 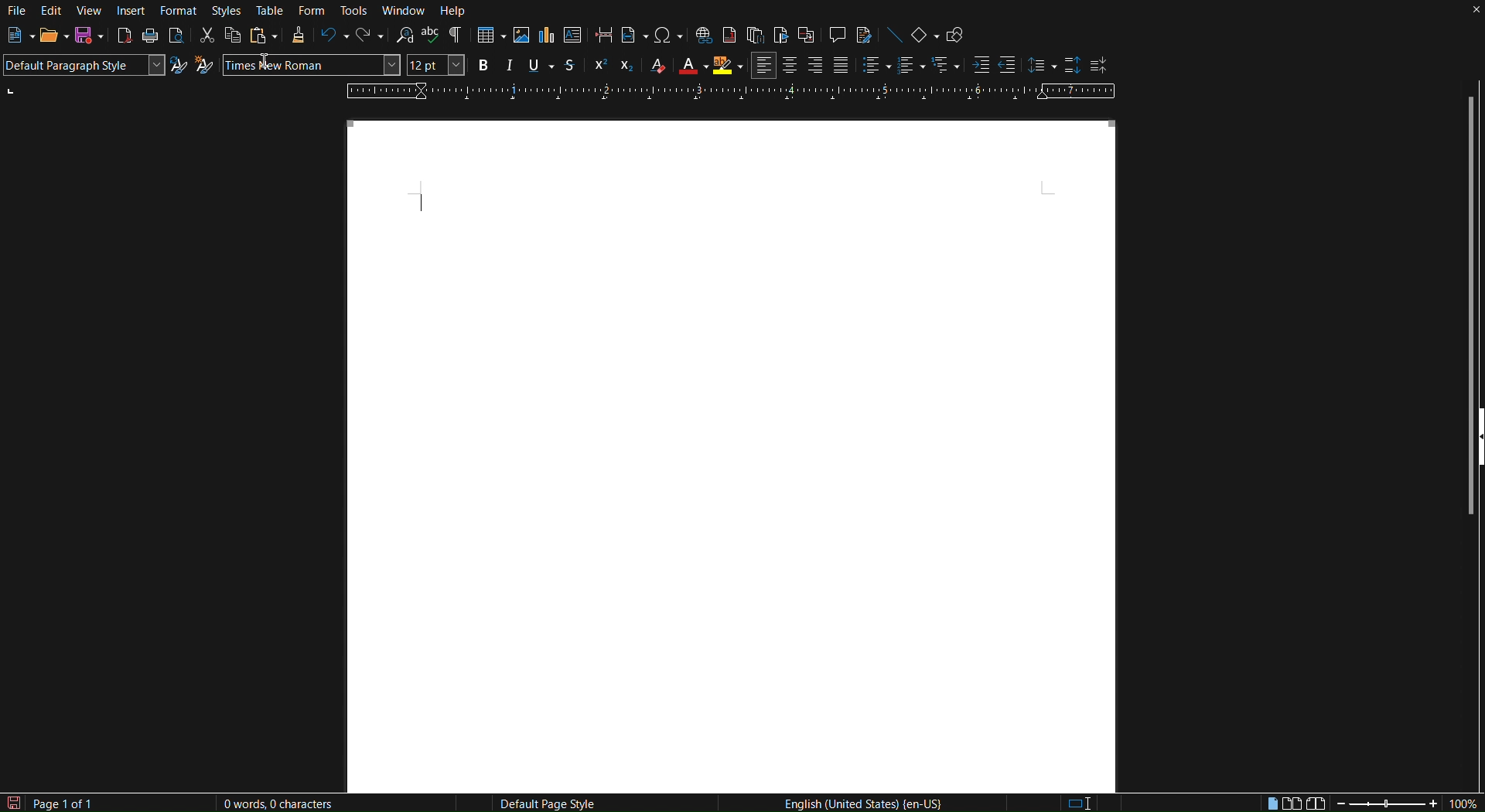 What do you see at coordinates (433, 38) in the screenshot?
I see `Check spelling` at bounding box center [433, 38].